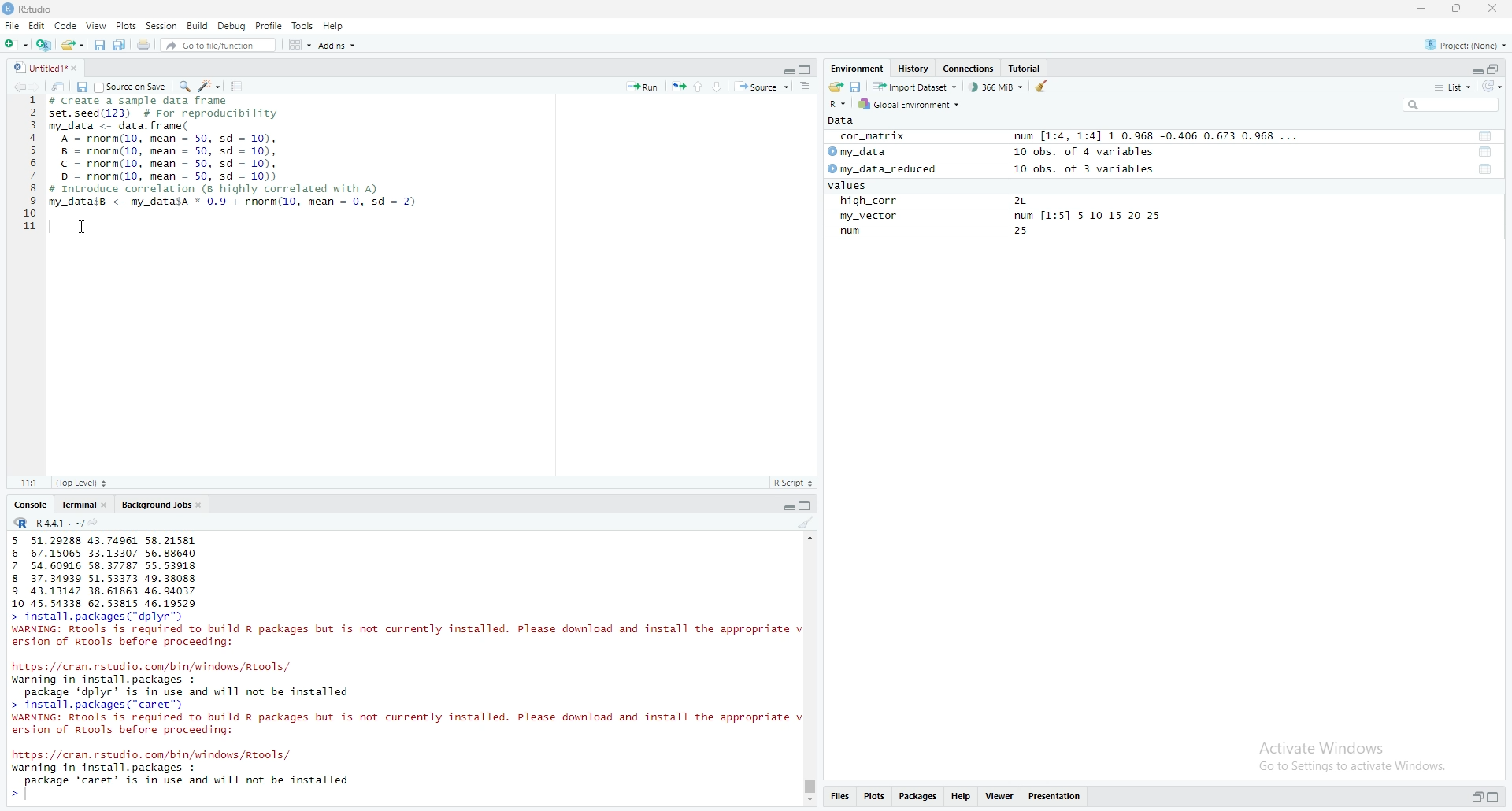 The image size is (1512, 811). Describe the element at coordinates (1486, 152) in the screenshot. I see `tool` at that location.